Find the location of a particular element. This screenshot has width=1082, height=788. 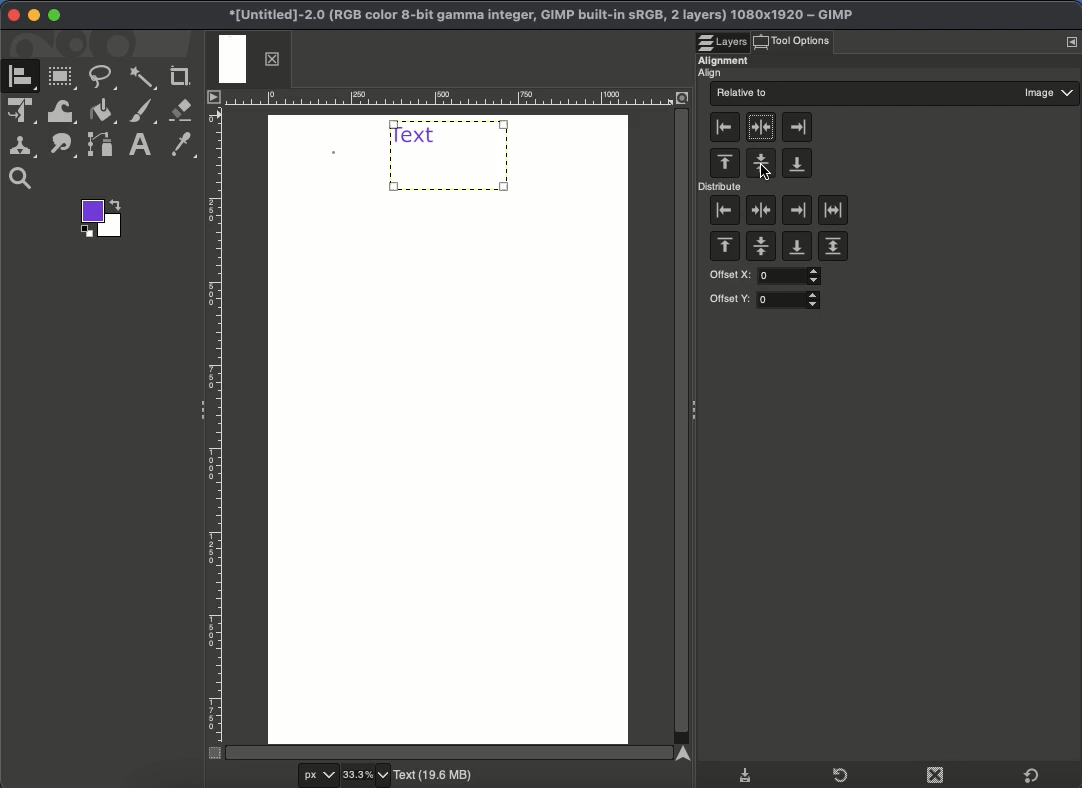

Distribute vertical centers is located at coordinates (762, 249).